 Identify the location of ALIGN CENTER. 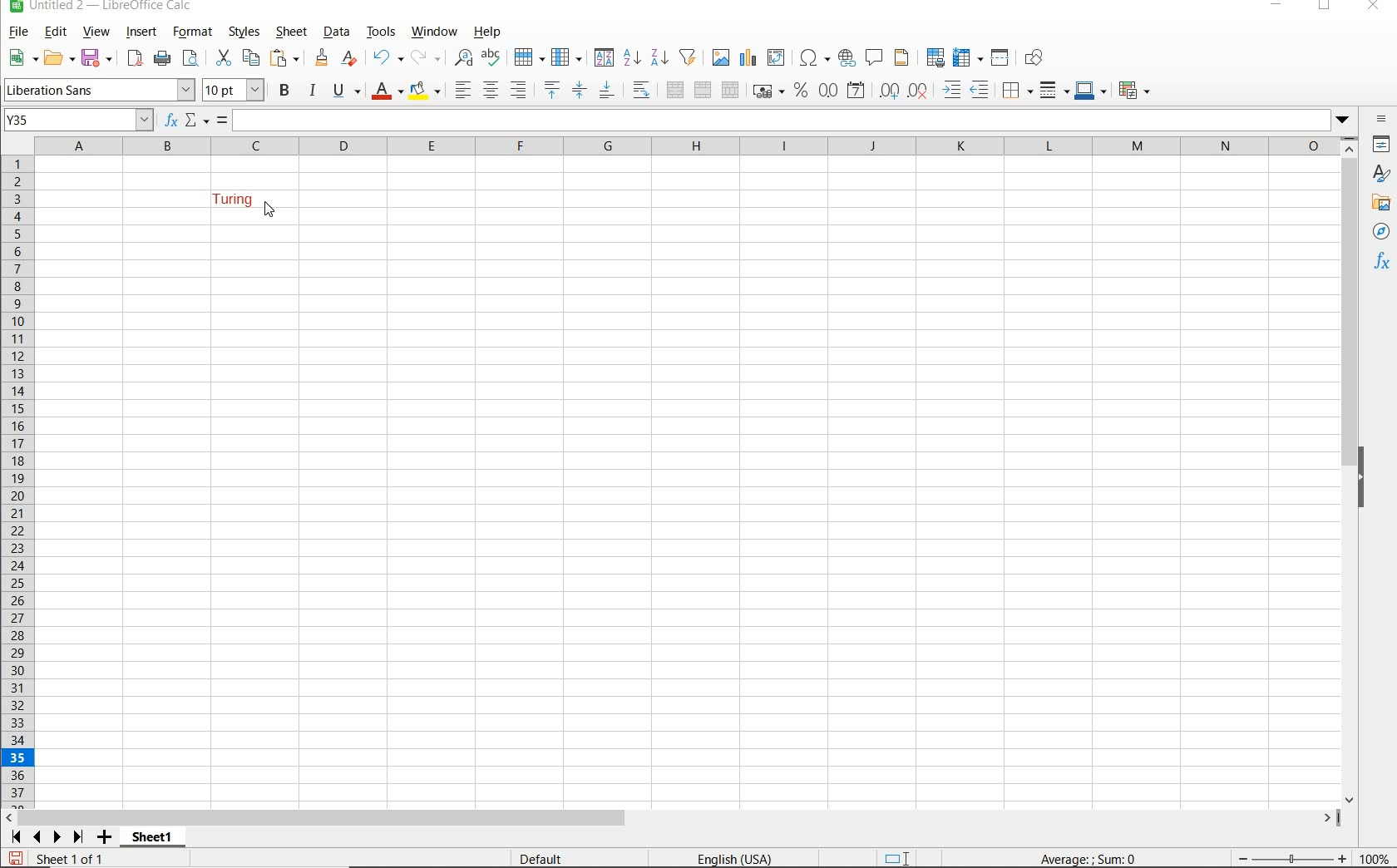
(491, 91).